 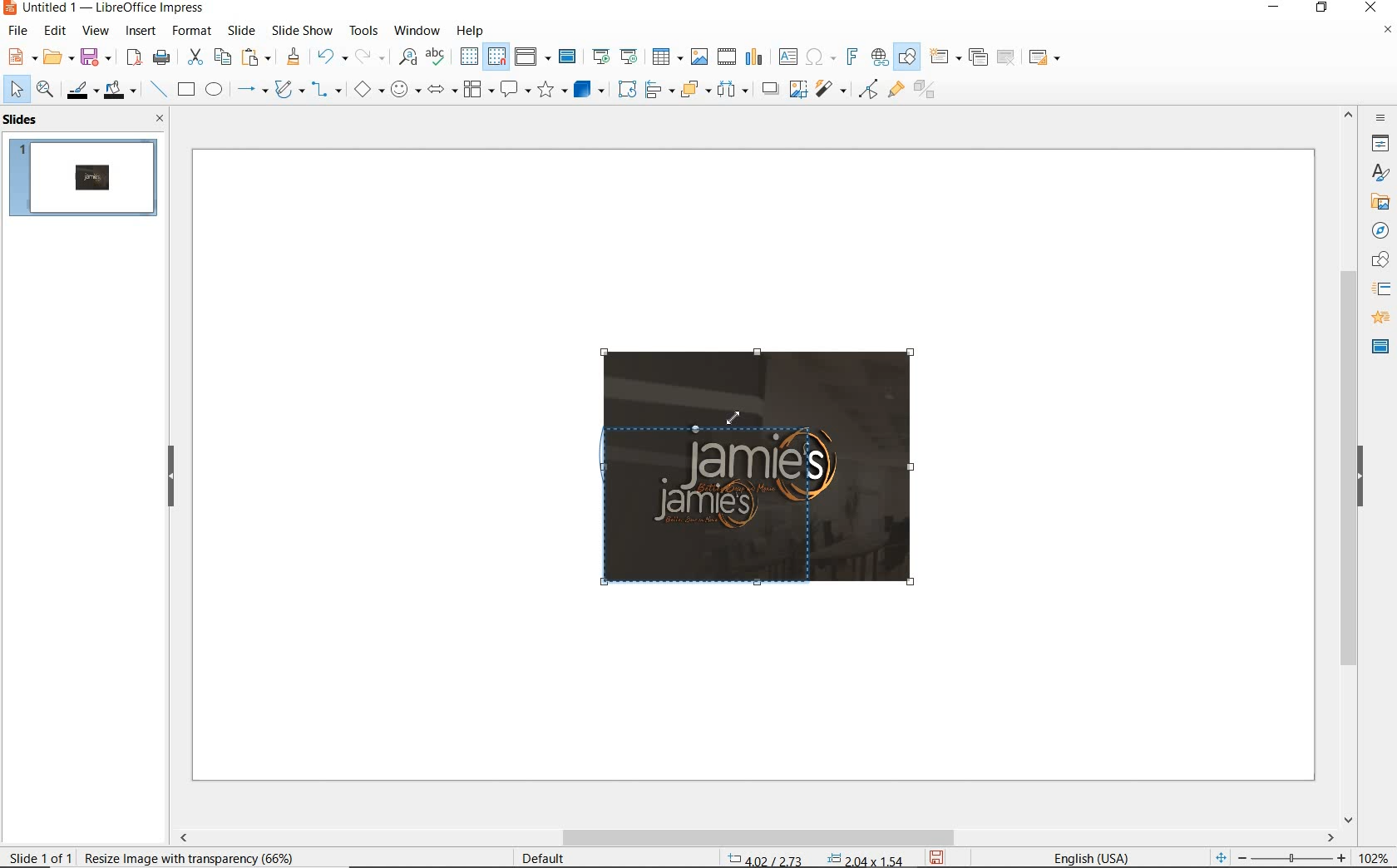 I want to click on lines & arrows, so click(x=251, y=91).